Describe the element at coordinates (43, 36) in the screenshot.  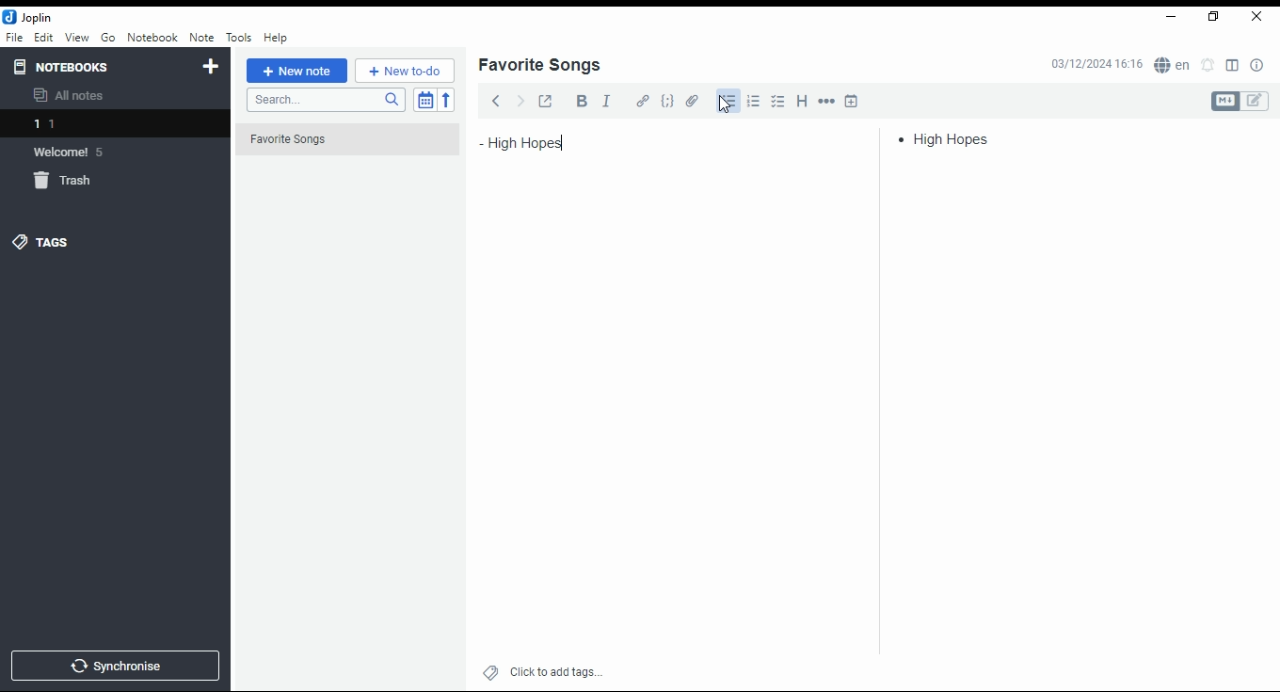
I see `edit` at that location.